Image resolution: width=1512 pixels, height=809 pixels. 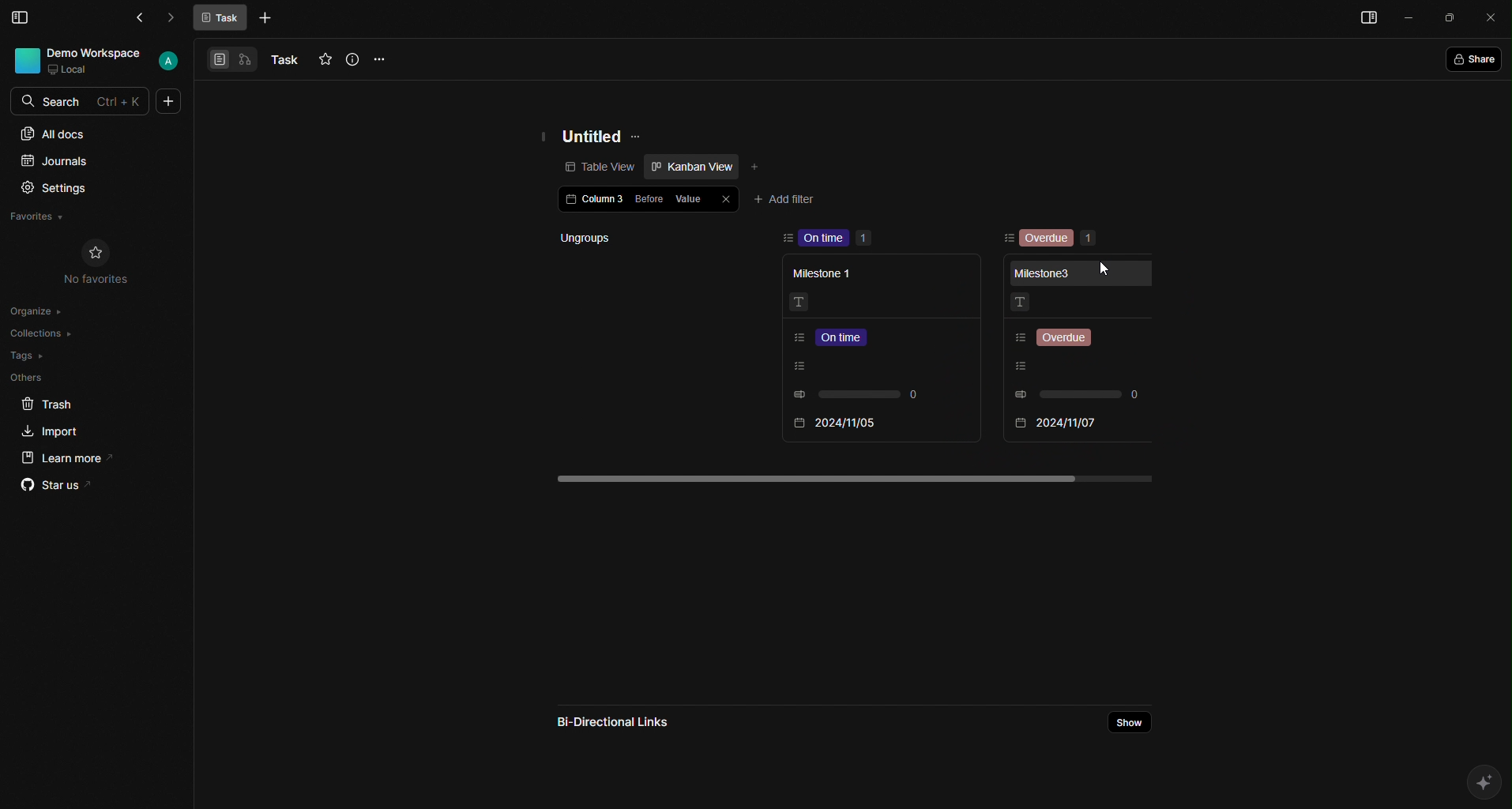 I want to click on Learn more, so click(x=73, y=457).